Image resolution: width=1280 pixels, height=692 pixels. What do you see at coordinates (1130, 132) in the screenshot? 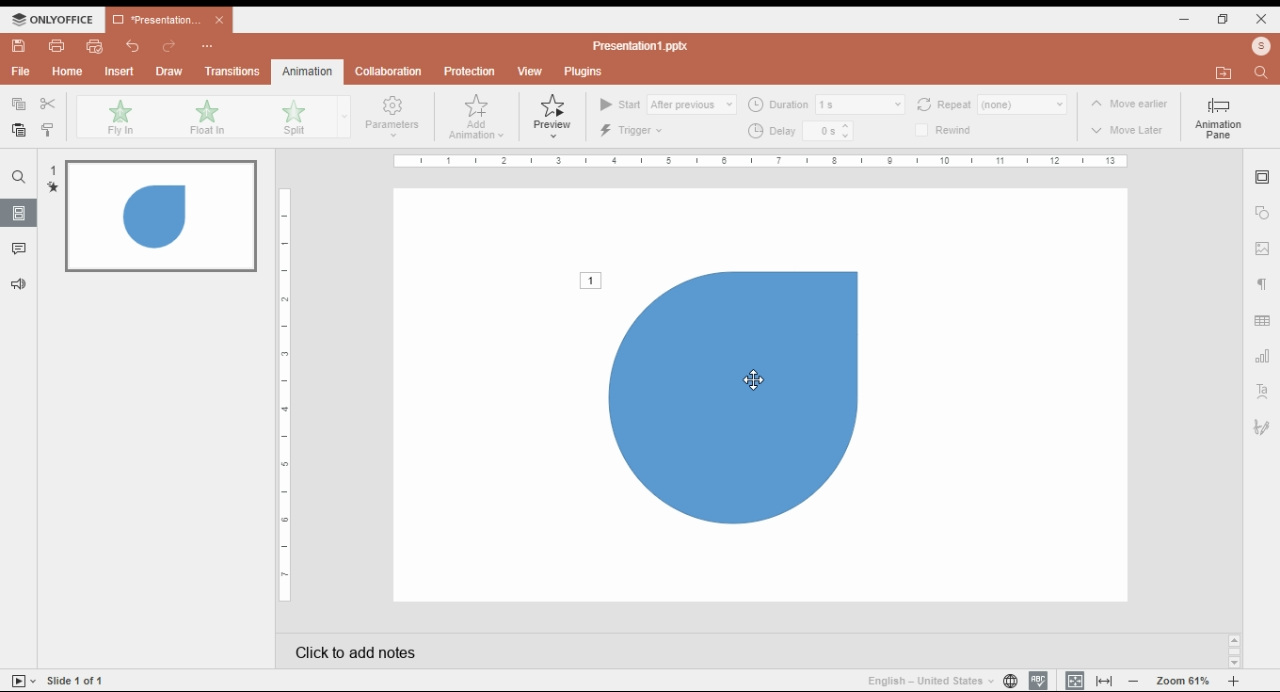
I see `move later` at bounding box center [1130, 132].